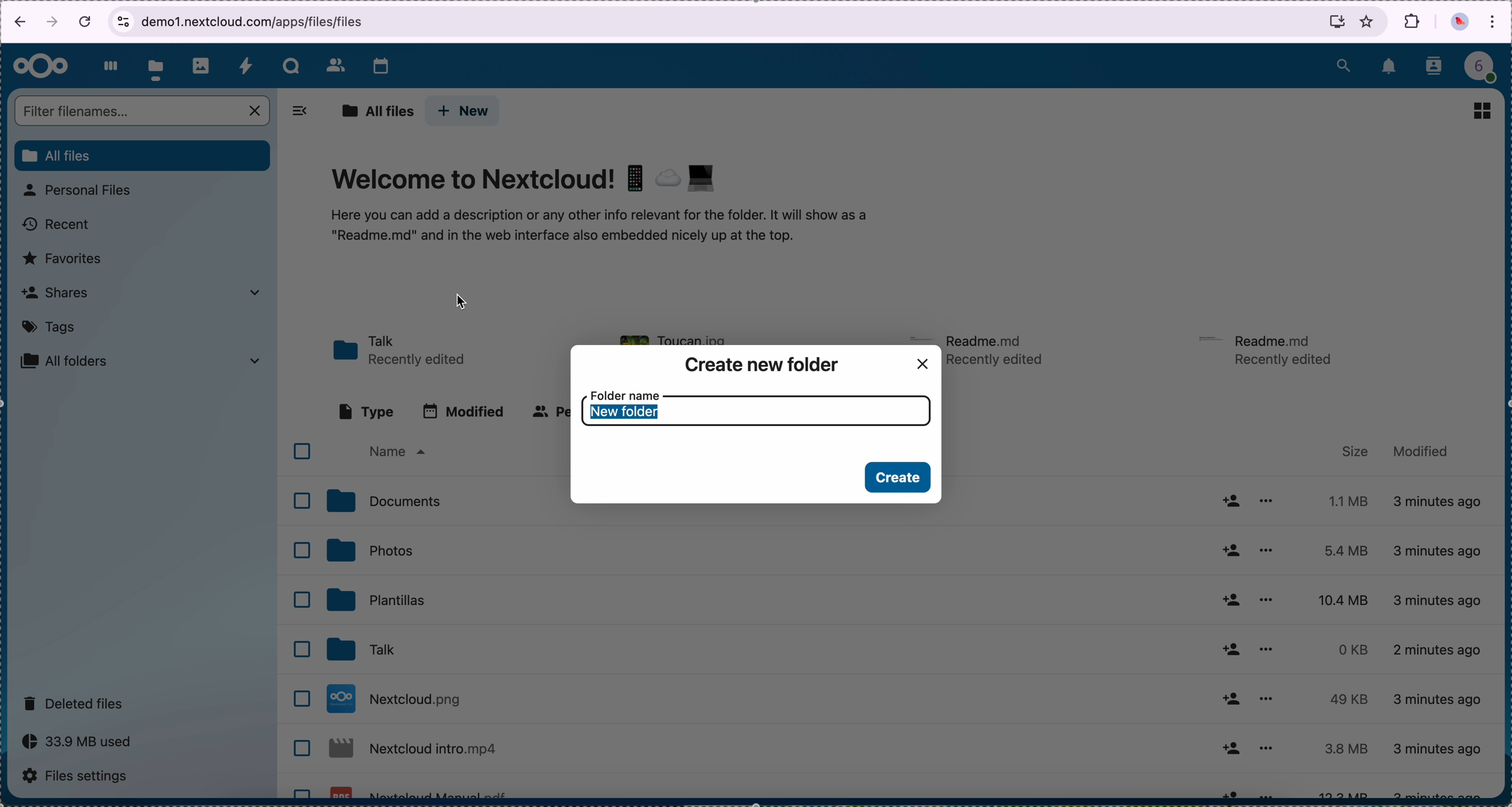 This screenshot has height=807, width=1512. What do you see at coordinates (377, 599) in the screenshot?
I see `templates` at bounding box center [377, 599].